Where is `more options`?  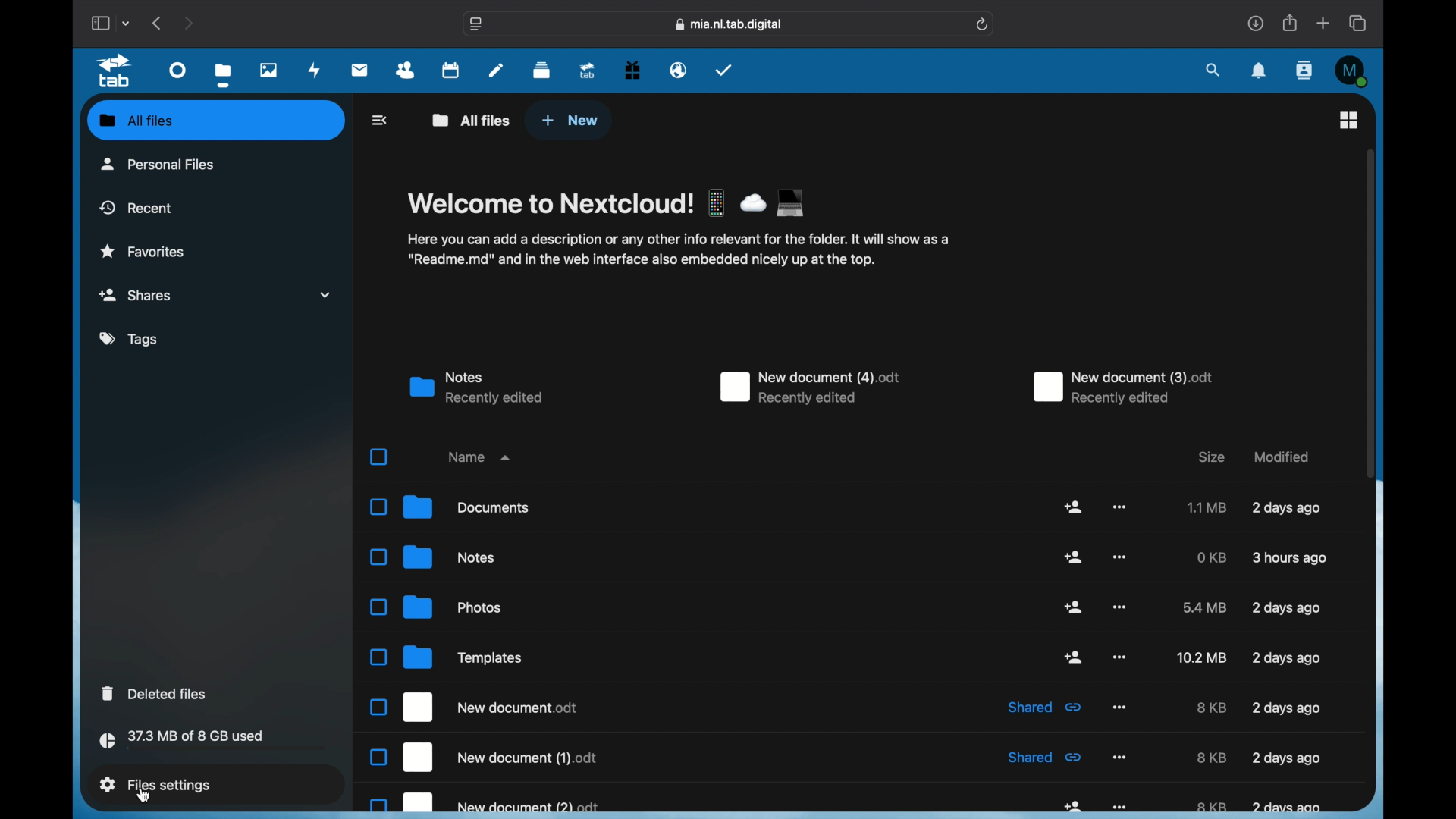 more options is located at coordinates (1119, 657).